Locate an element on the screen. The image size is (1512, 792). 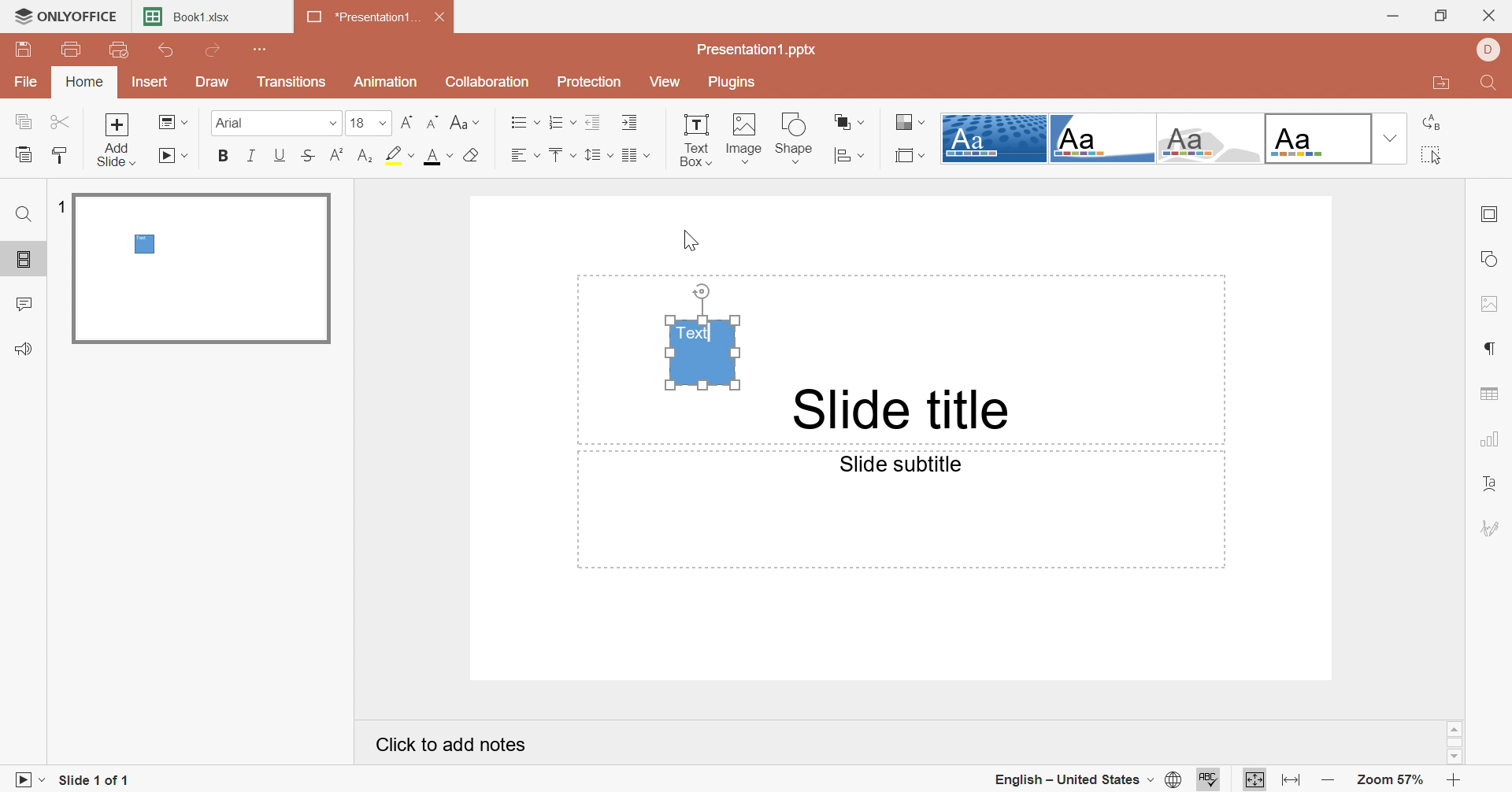
Restore Down is located at coordinates (1445, 16).